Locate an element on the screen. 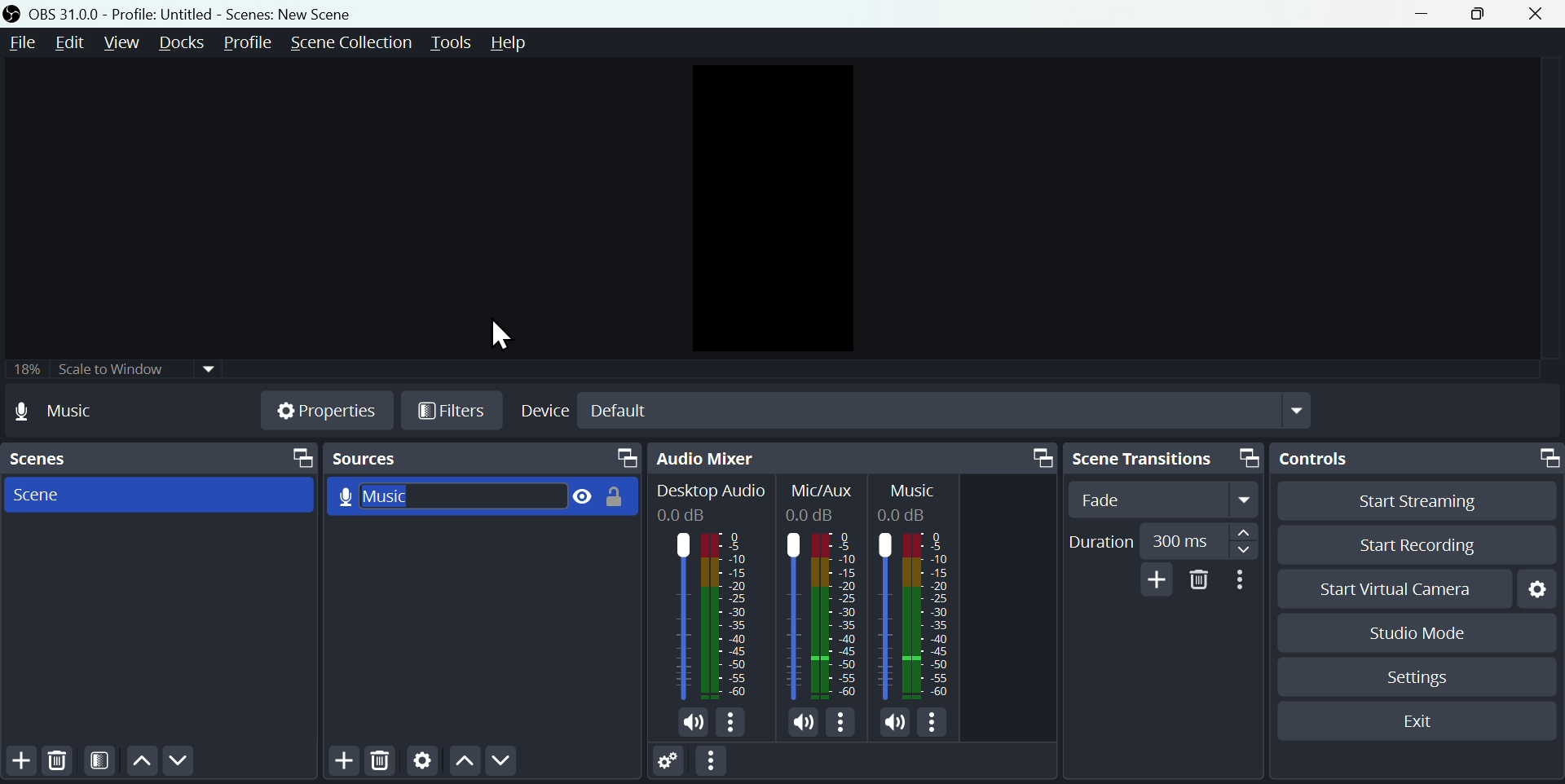 The width and height of the screenshot is (1565, 784). Delete is located at coordinates (382, 764).